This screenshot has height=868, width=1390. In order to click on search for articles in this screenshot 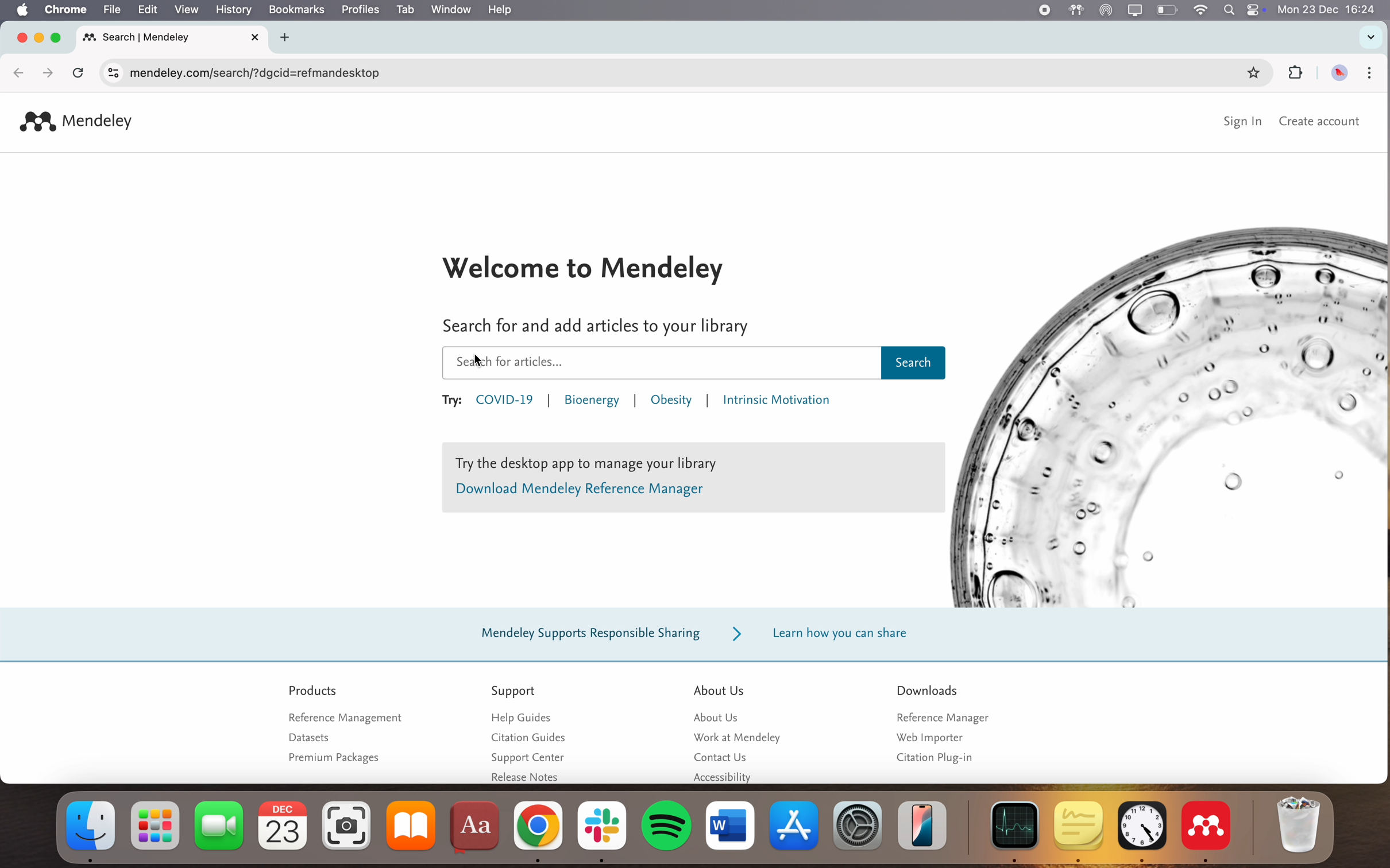, I will do `click(593, 327)`.